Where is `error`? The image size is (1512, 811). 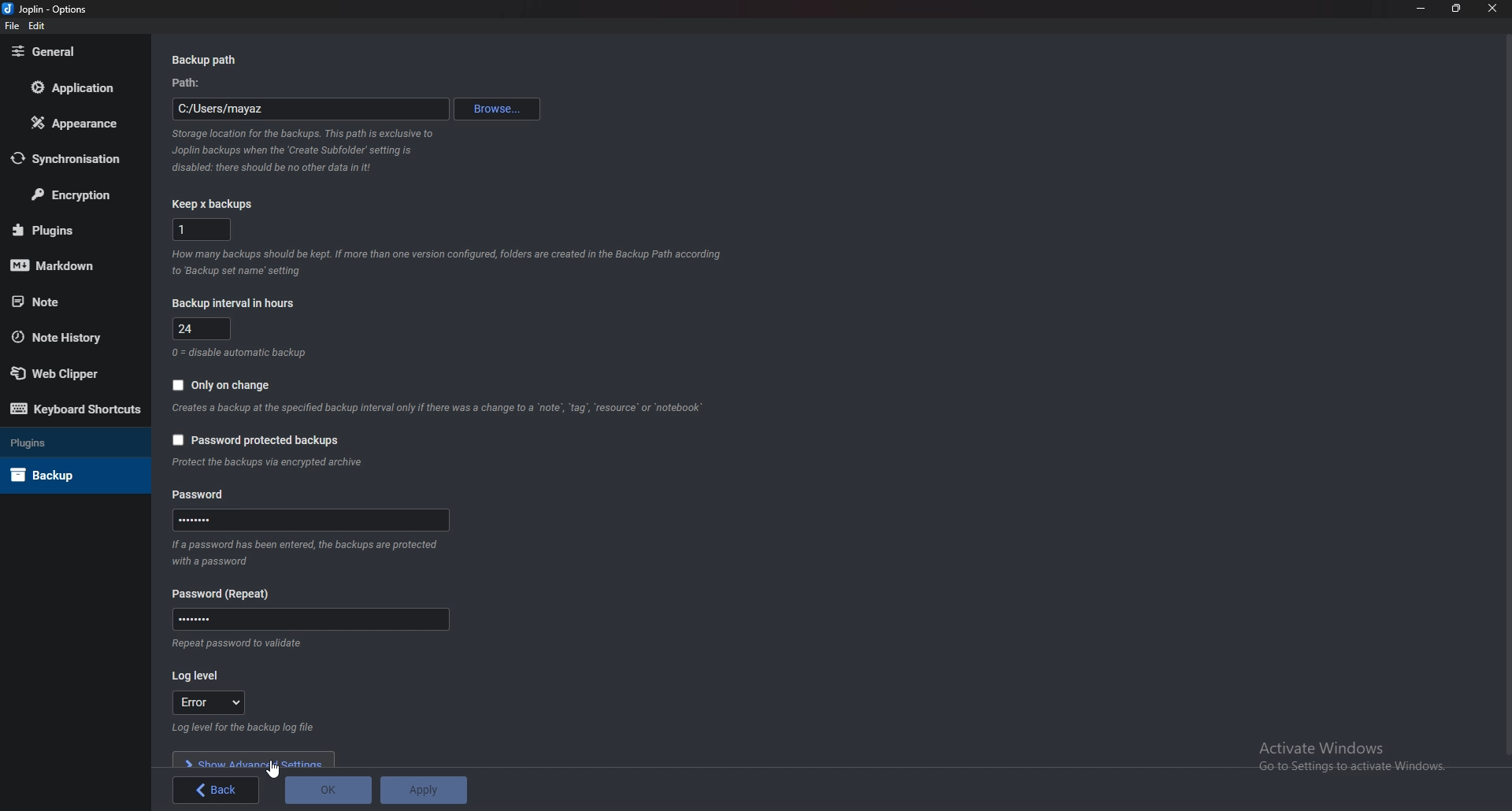
error is located at coordinates (211, 703).